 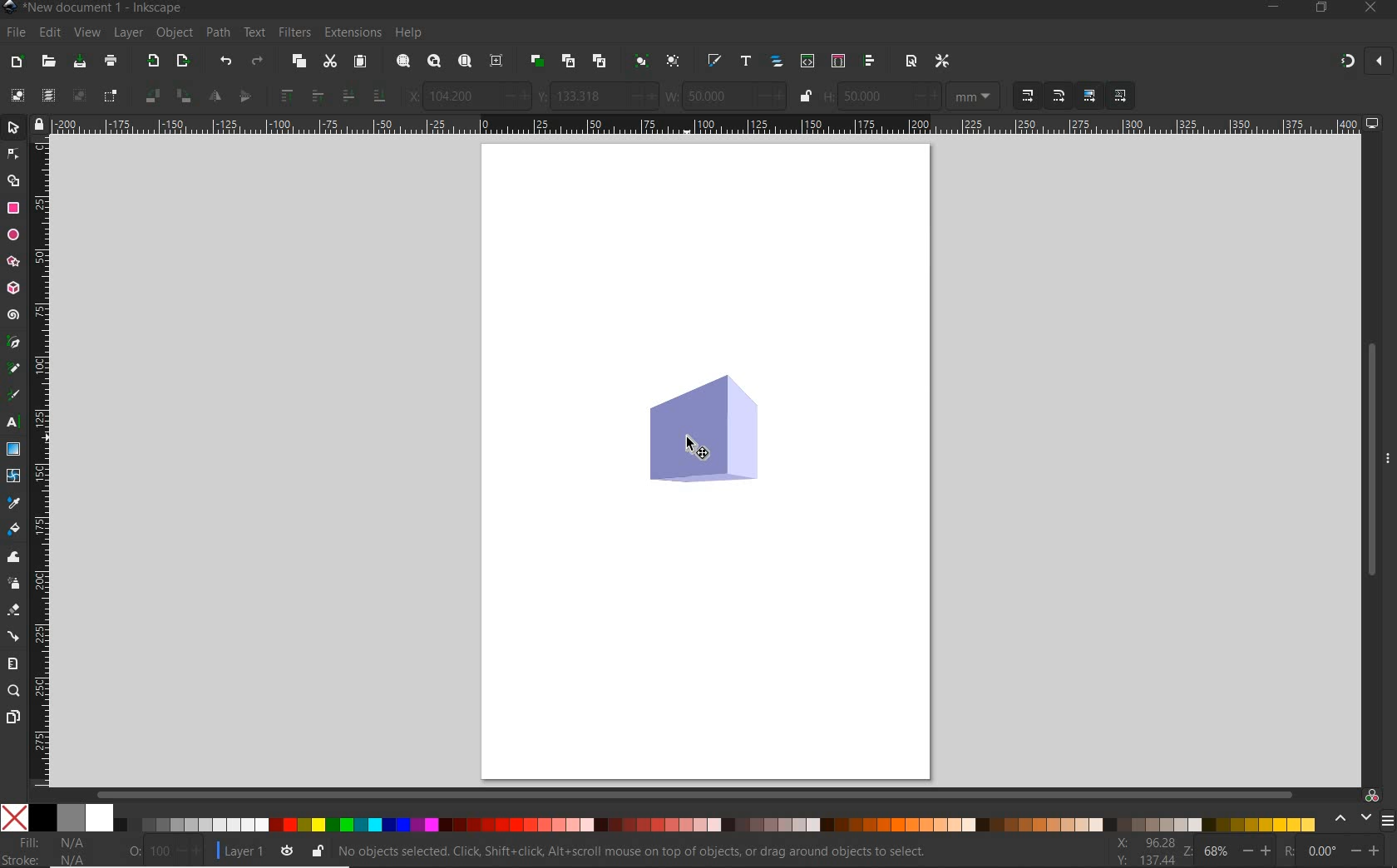 I want to click on object flip, so click(x=249, y=96).